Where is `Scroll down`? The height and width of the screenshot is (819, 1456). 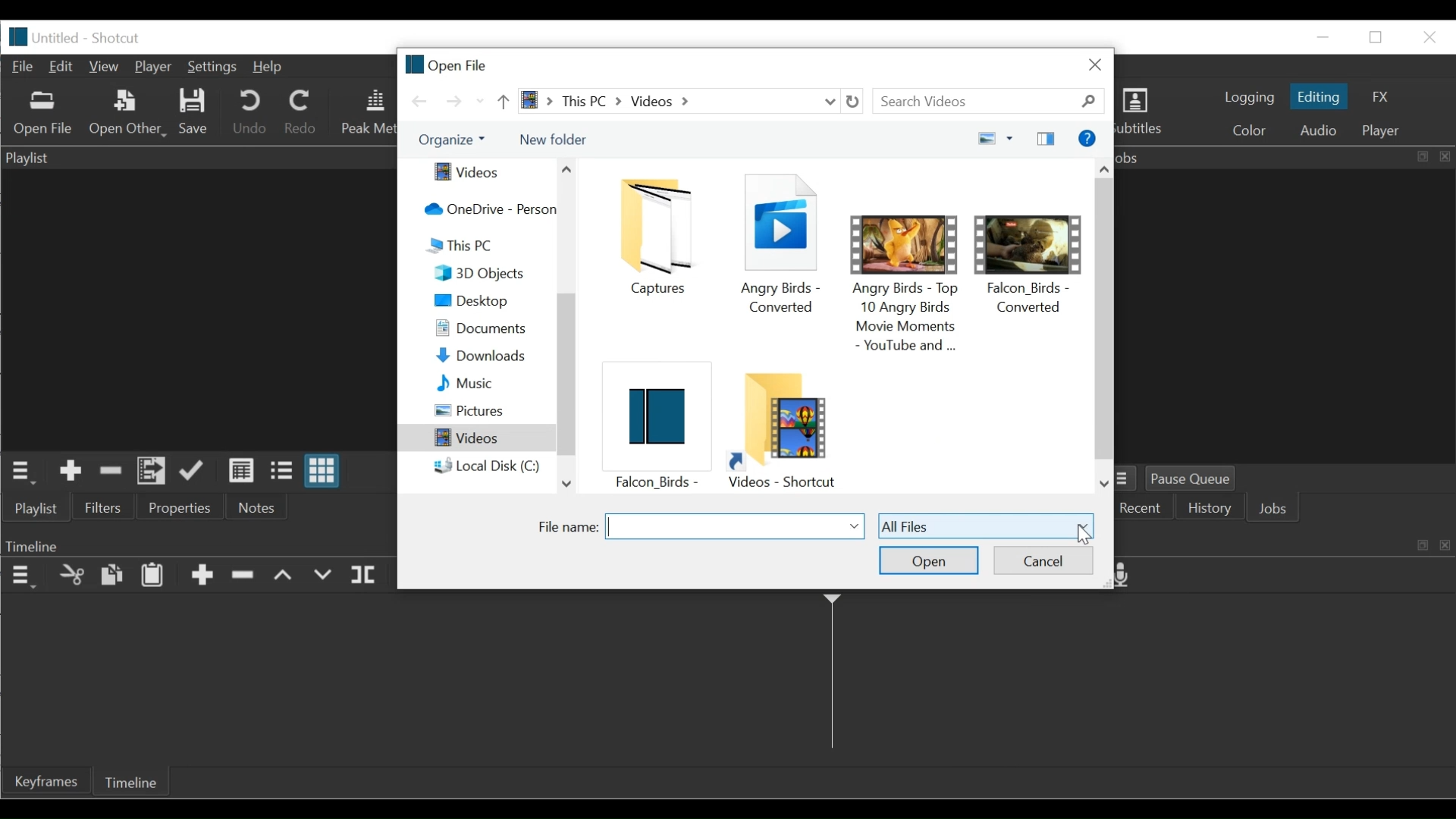 Scroll down is located at coordinates (565, 483).